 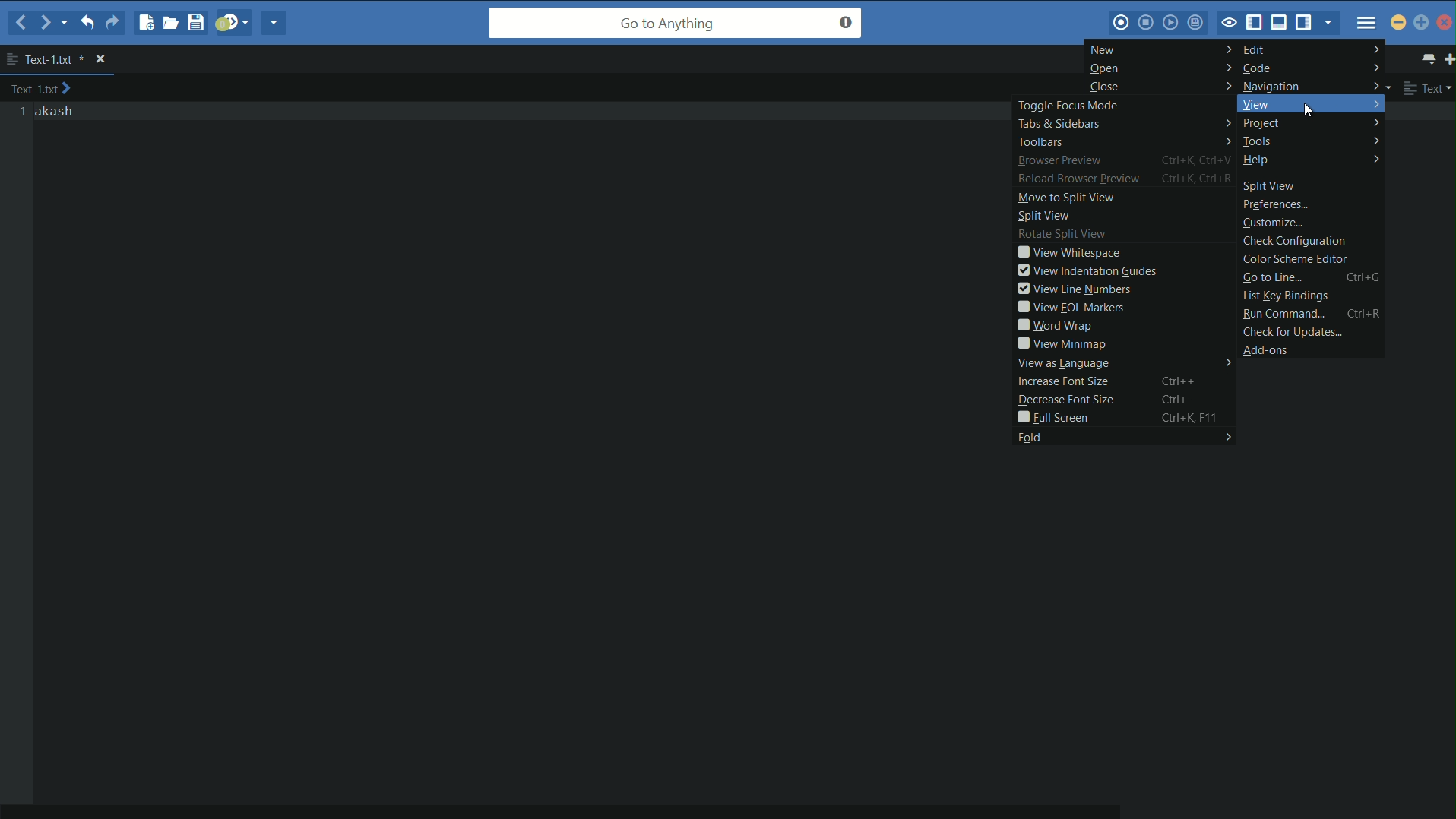 I want to click on close, so click(x=1160, y=86).